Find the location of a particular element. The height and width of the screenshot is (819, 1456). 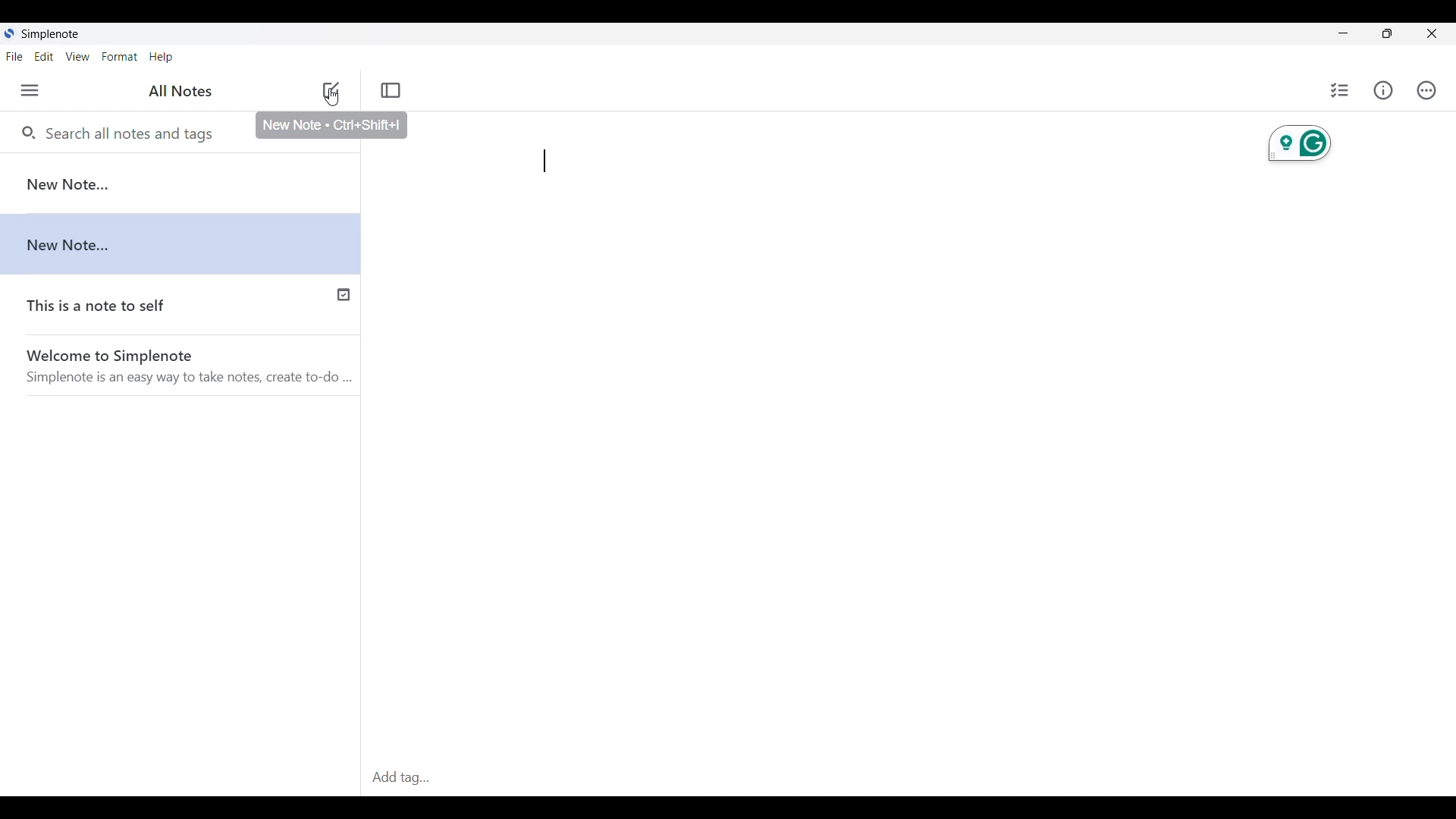

New Note.. is located at coordinates (180, 182).